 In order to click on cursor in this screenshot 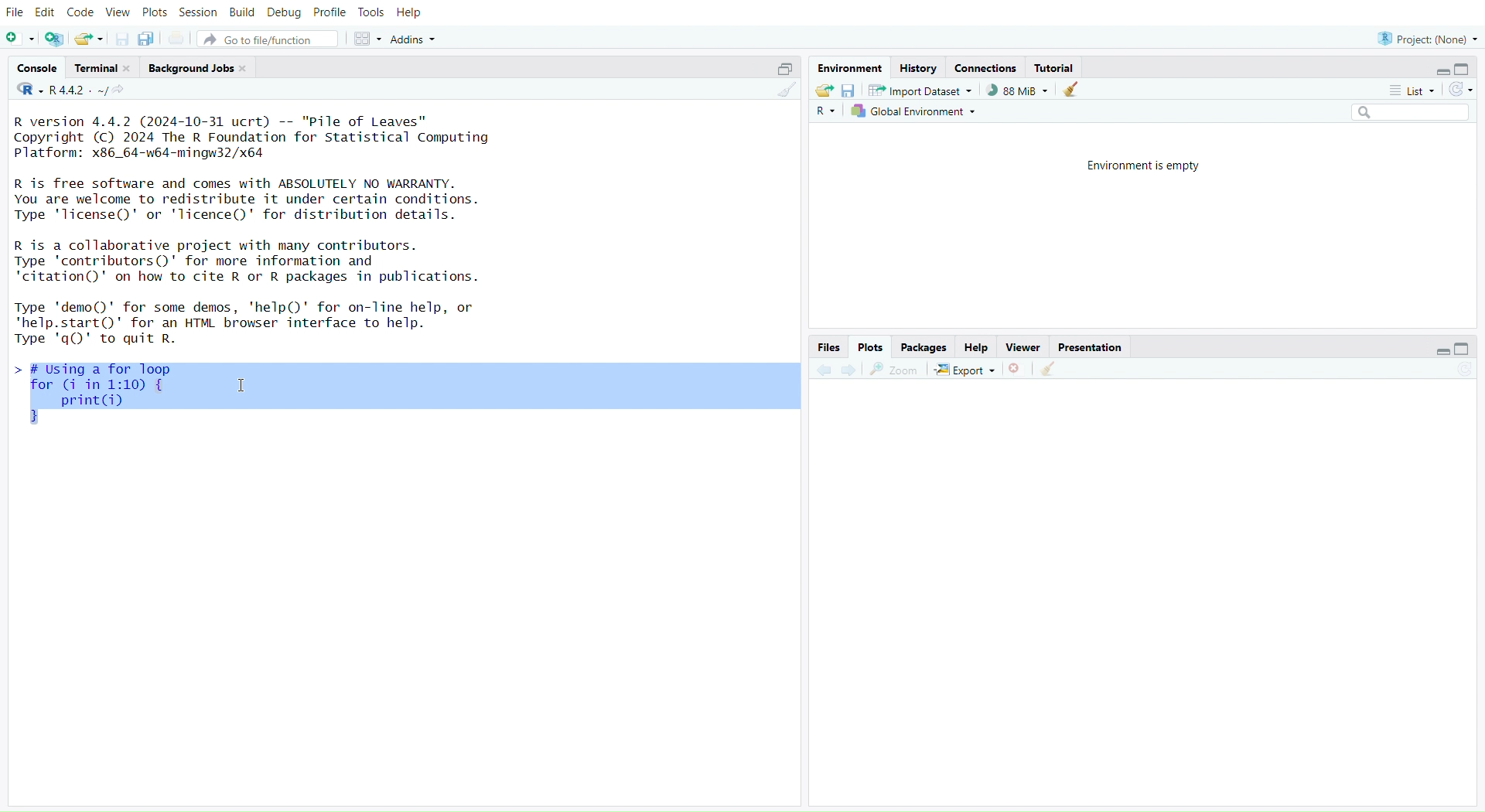, I will do `click(241, 387)`.